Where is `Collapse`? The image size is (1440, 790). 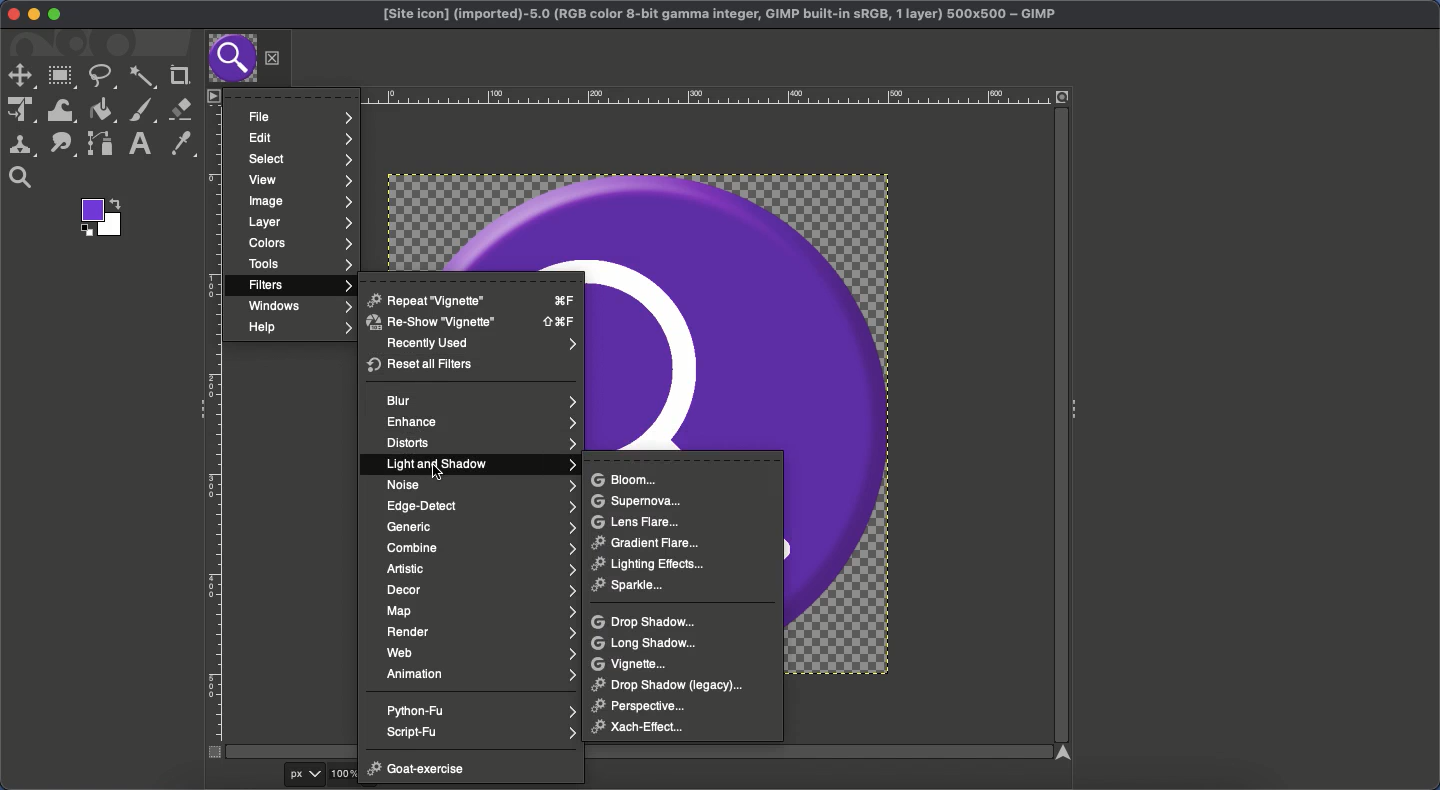
Collapse is located at coordinates (1077, 406).